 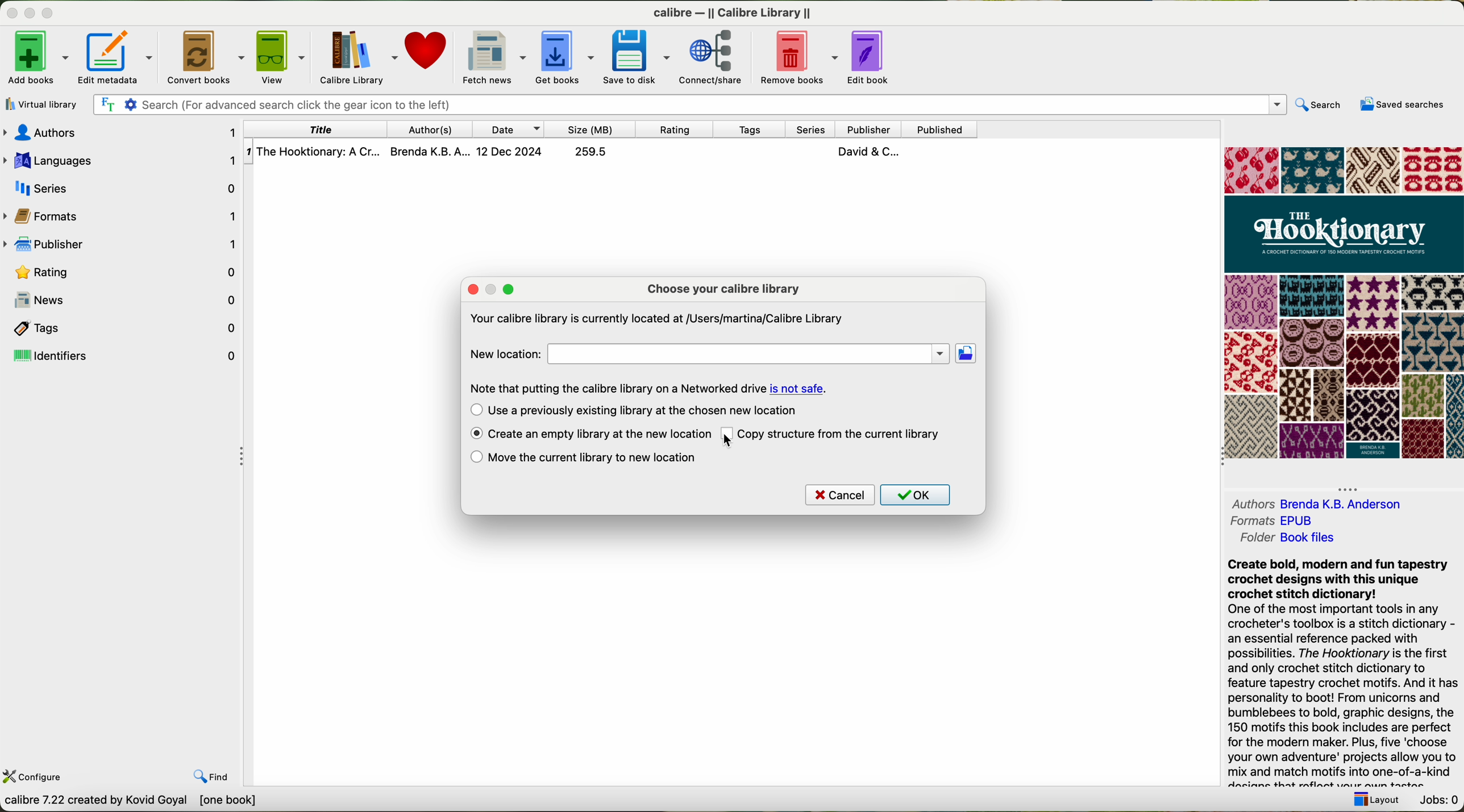 What do you see at coordinates (163, 802) in the screenshot?
I see `calibre 7.22 created by Kavid Goyal [one book]` at bounding box center [163, 802].